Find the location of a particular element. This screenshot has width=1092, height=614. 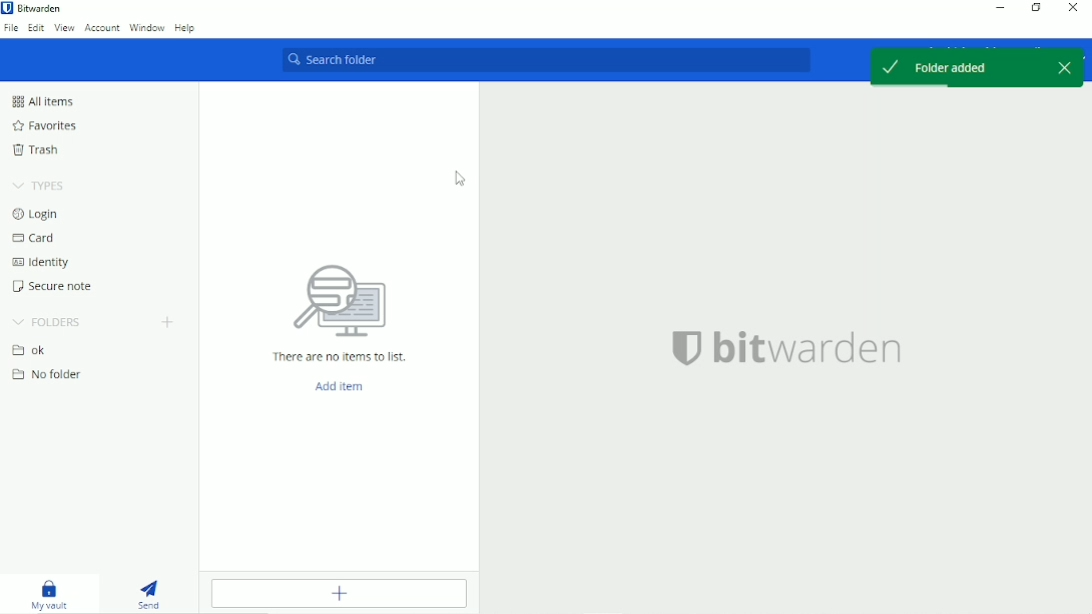

Minimize is located at coordinates (999, 8).